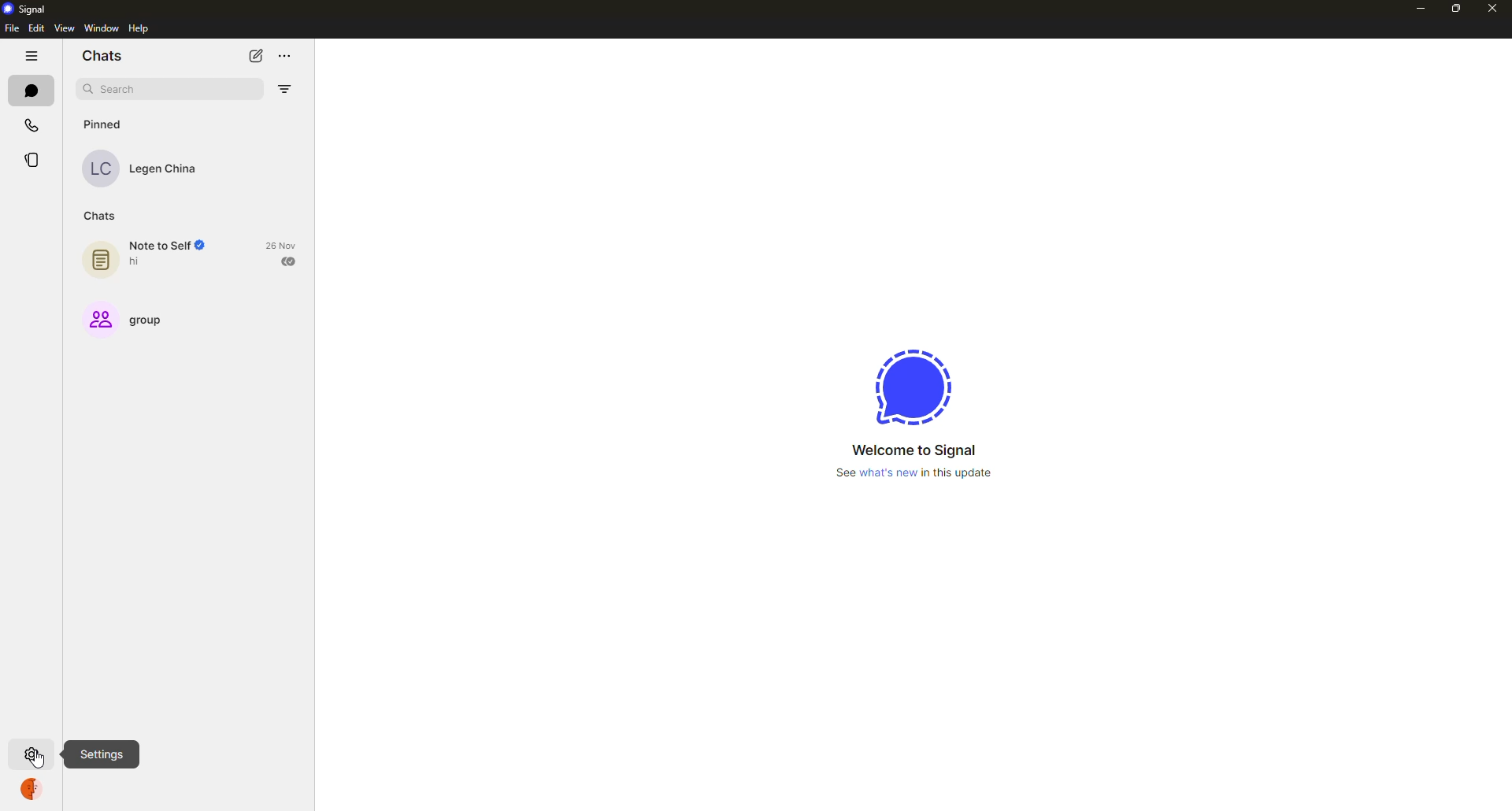 Image resolution: width=1512 pixels, height=811 pixels. What do you see at coordinates (11, 28) in the screenshot?
I see `file` at bounding box center [11, 28].